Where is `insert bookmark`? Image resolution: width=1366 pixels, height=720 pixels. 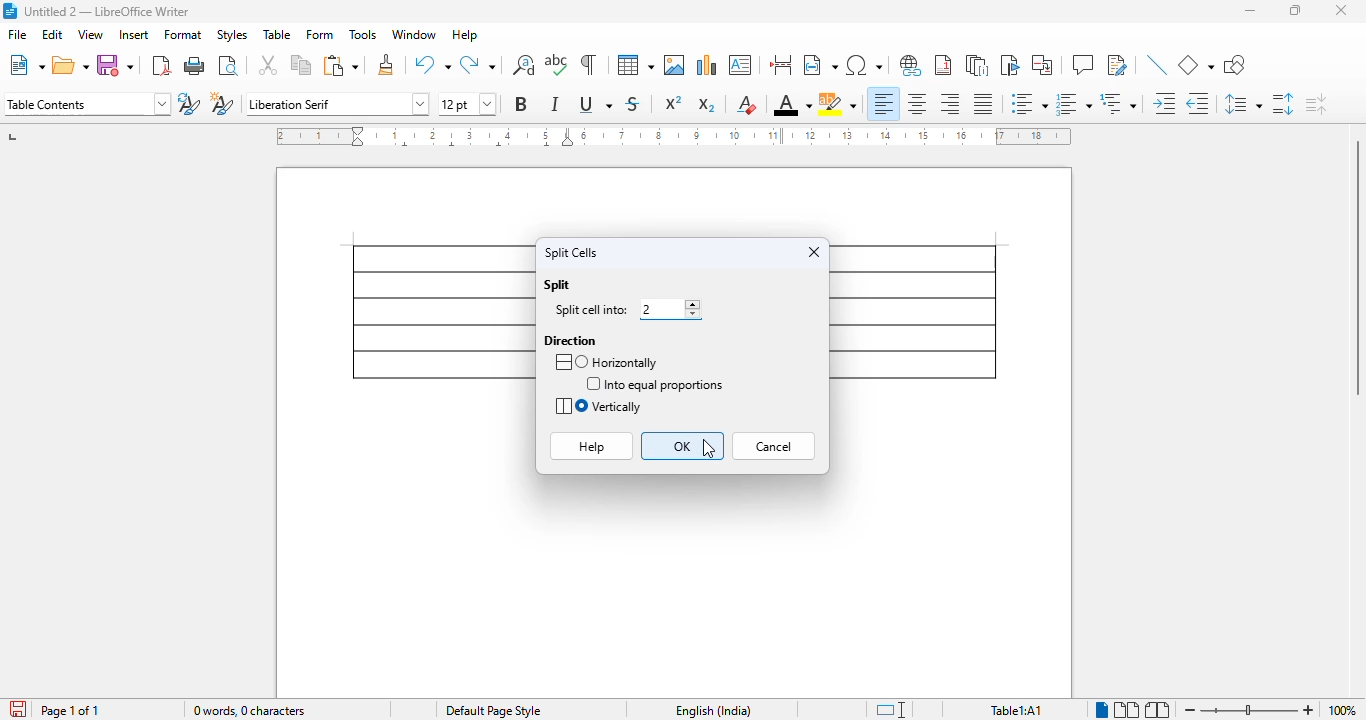
insert bookmark is located at coordinates (1011, 65).